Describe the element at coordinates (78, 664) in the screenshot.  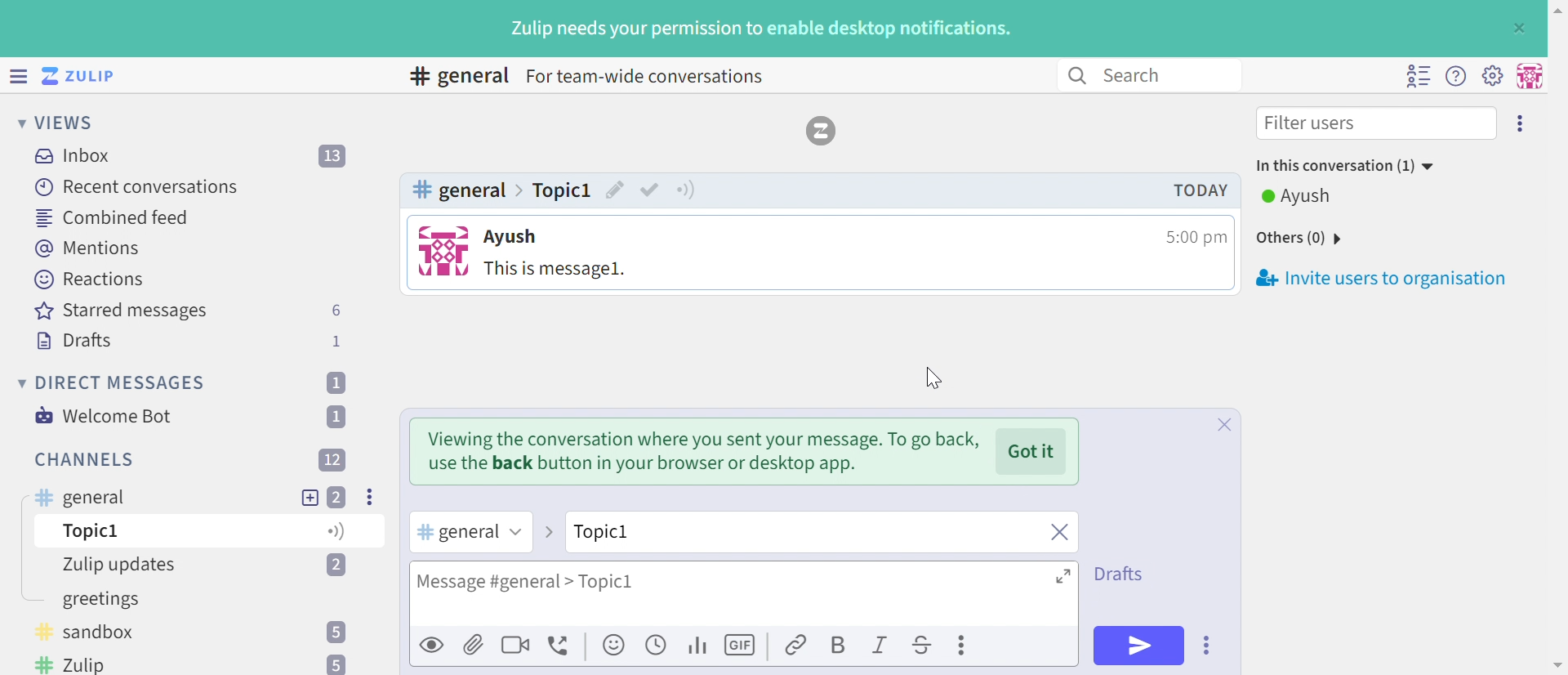
I see `Zulip` at that location.